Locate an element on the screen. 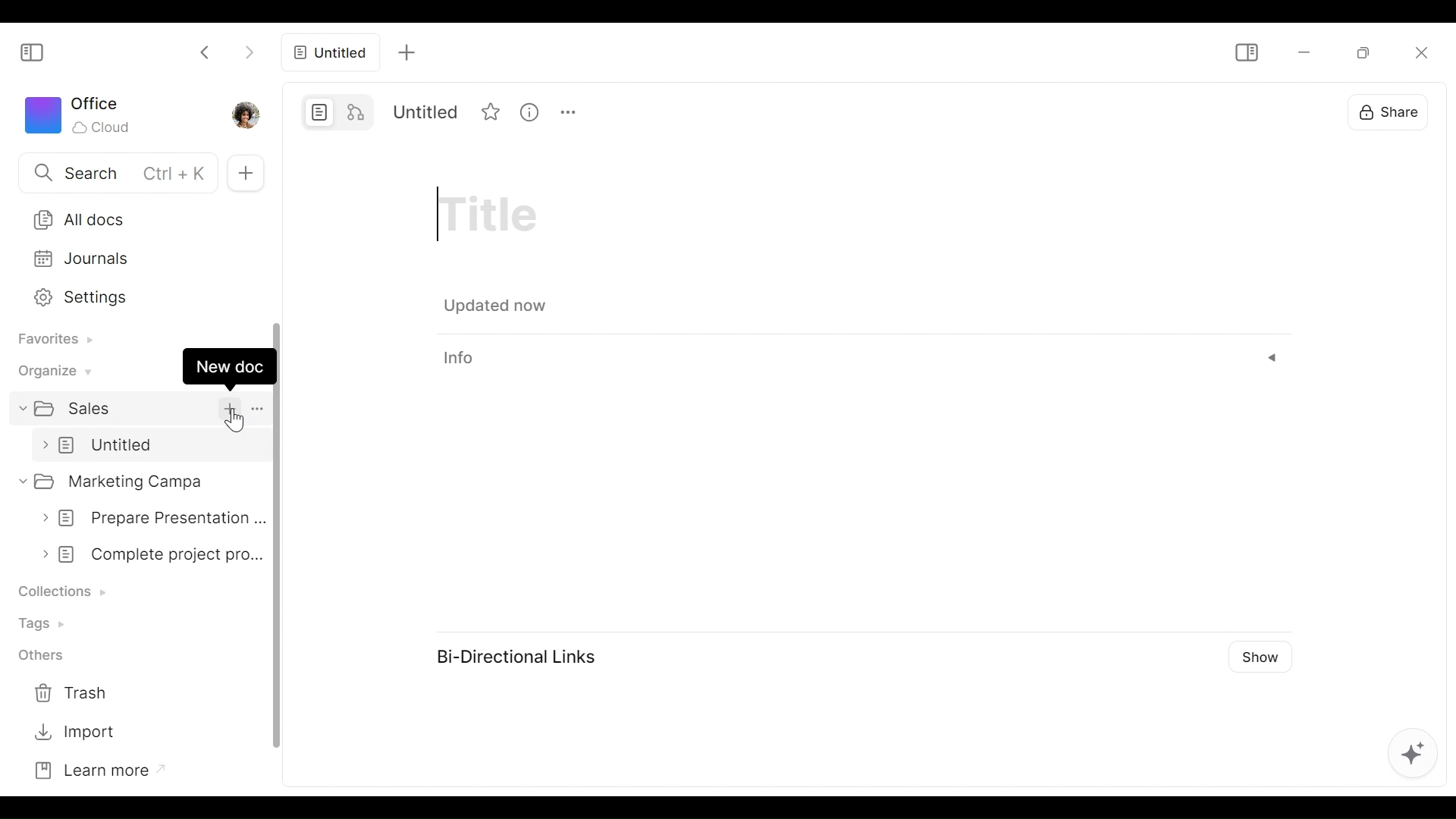 This screenshot has height=819, width=1456. Bi-Directional Links is located at coordinates (520, 660).